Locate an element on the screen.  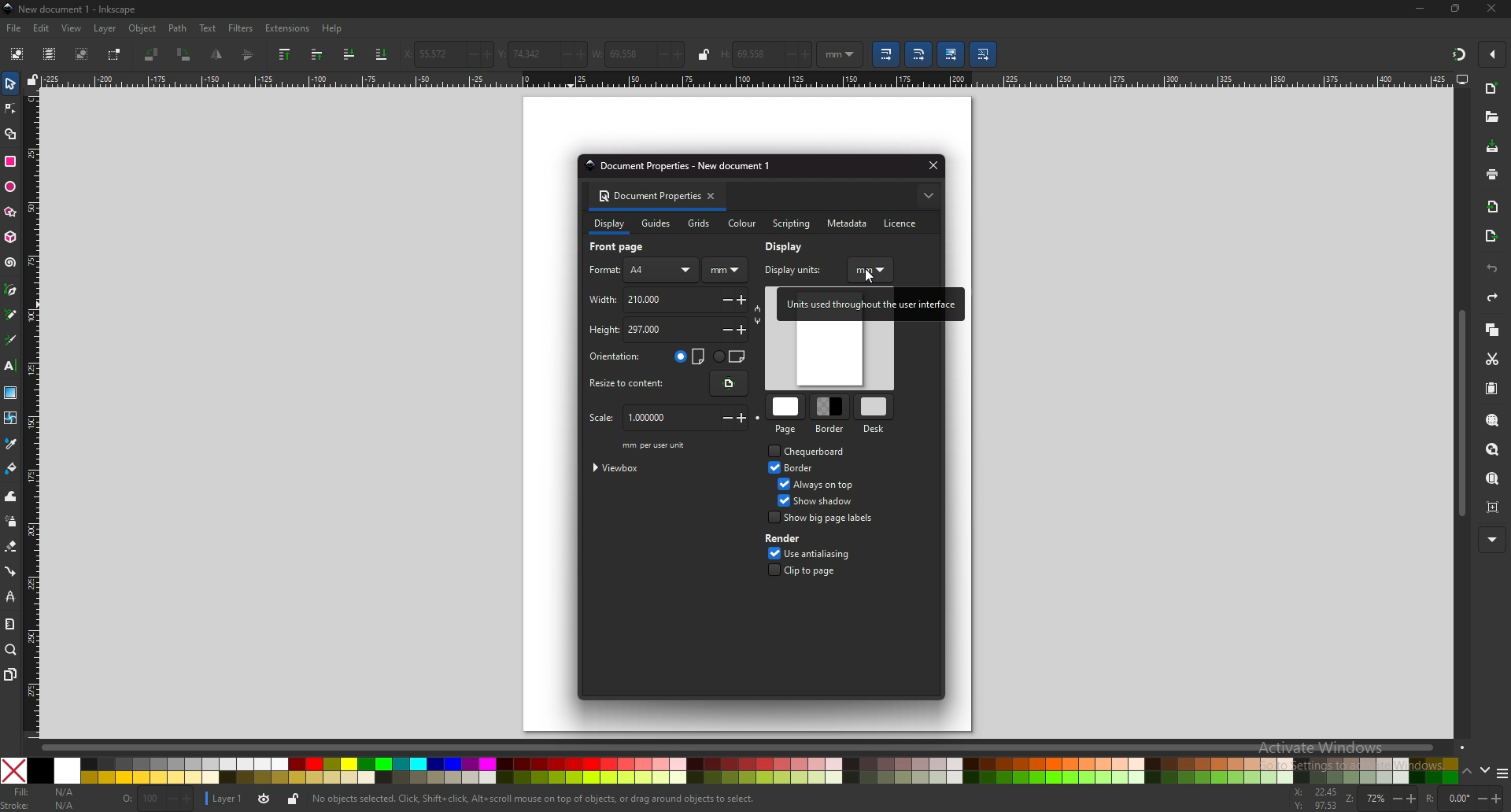
flip horizontal is located at coordinates (217, 54).